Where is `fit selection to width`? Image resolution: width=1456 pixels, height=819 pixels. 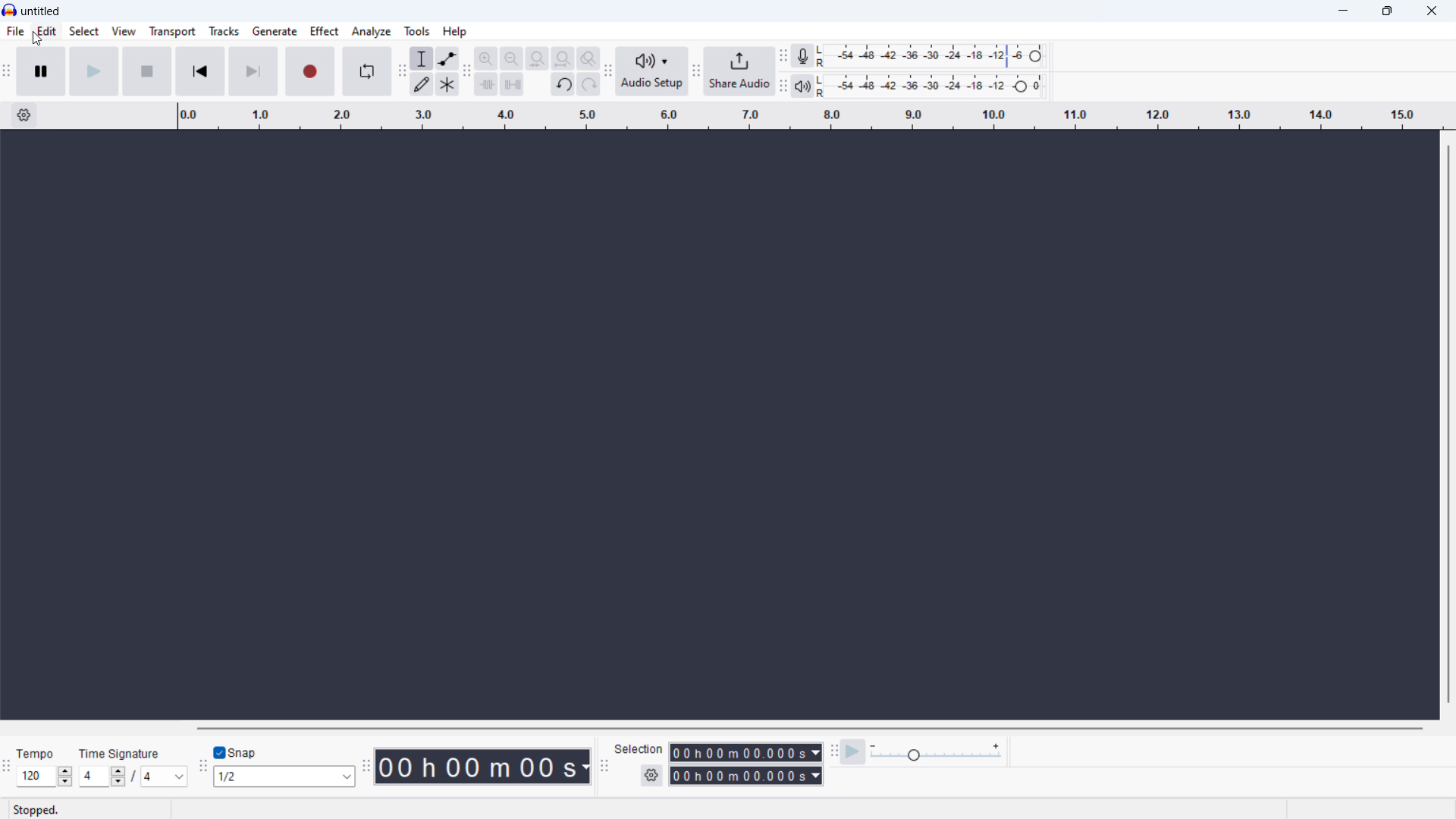 fit selection to width is located at coordinates (537, 59).